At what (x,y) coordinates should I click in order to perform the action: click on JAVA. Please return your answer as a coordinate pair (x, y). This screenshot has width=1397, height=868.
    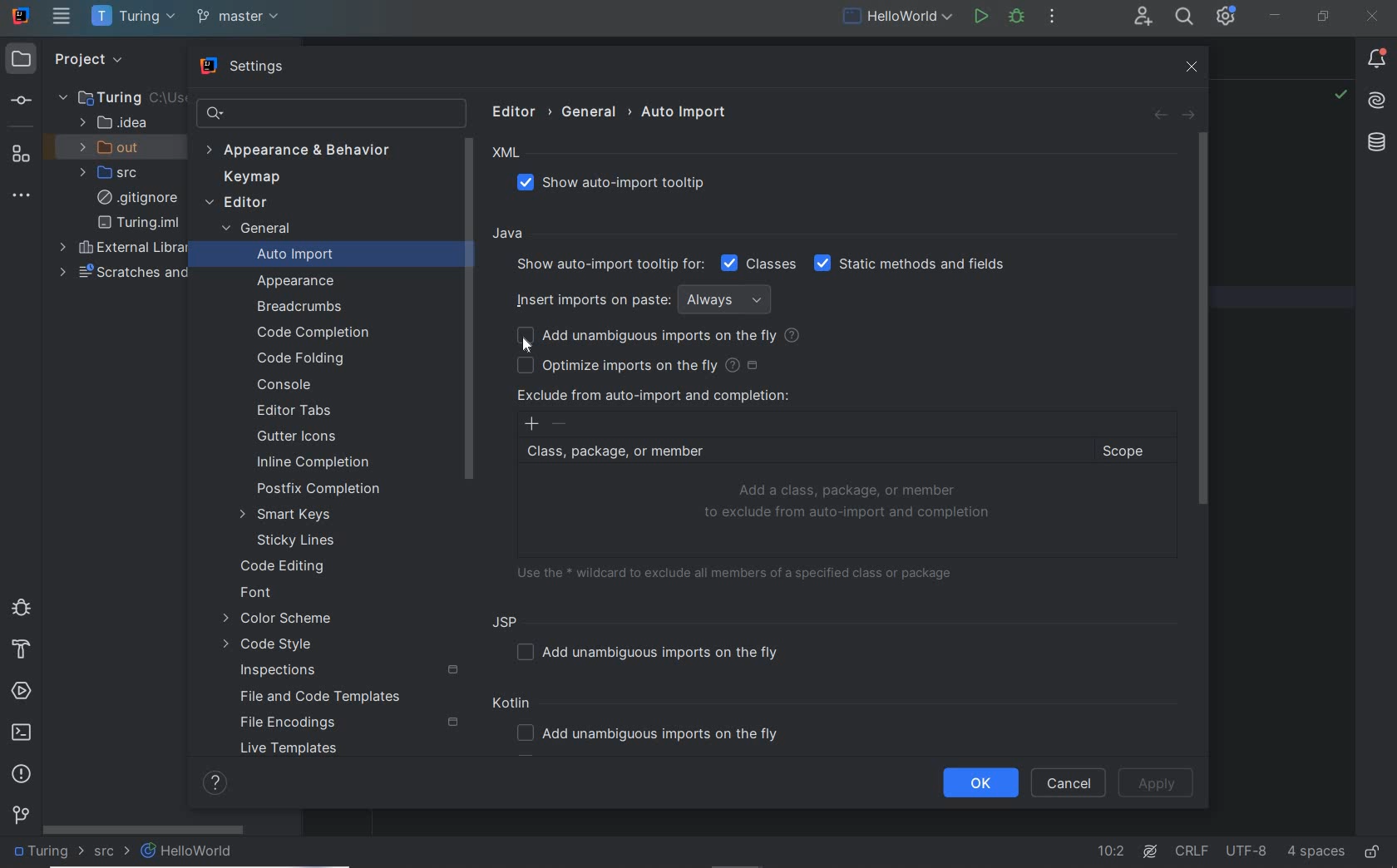
    Looking at the image, I should click on (511, 234).